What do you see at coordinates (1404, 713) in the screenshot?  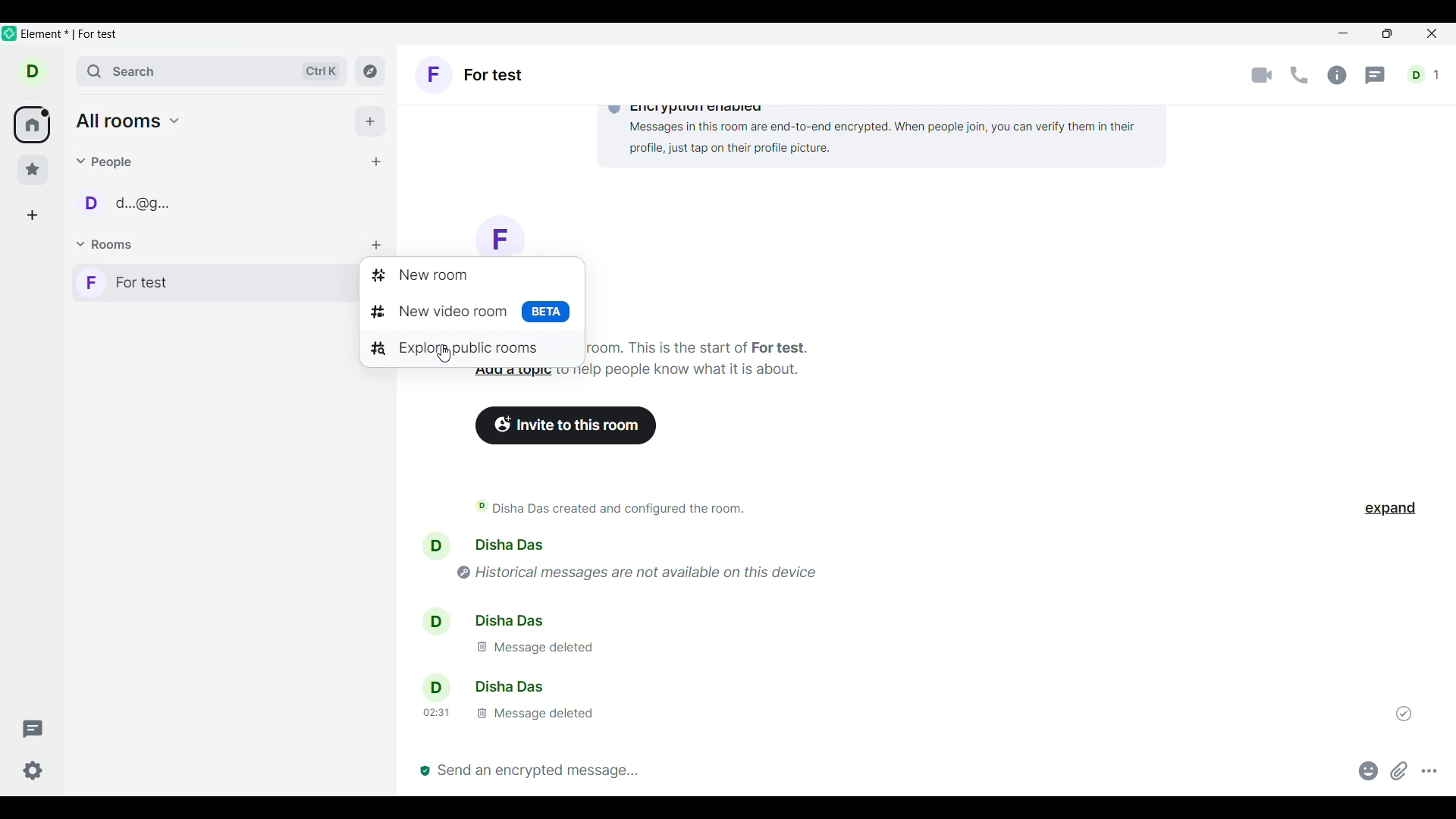 I see `Indicates message sent` at bounding box center [1404, 713].